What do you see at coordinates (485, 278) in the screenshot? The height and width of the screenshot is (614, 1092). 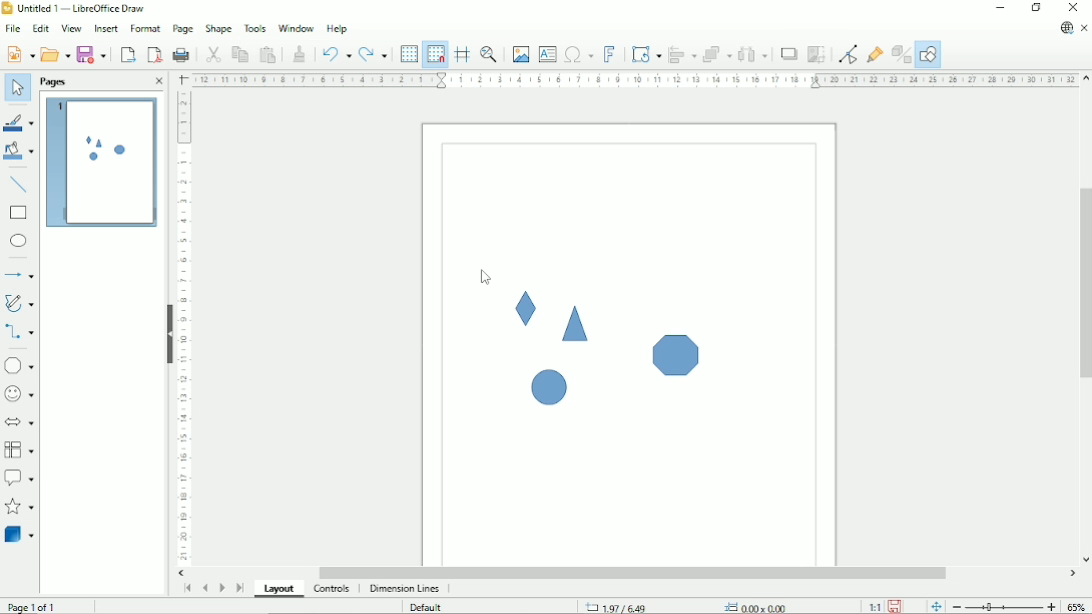 I see `Cursor` at bounding box center [485, 278].